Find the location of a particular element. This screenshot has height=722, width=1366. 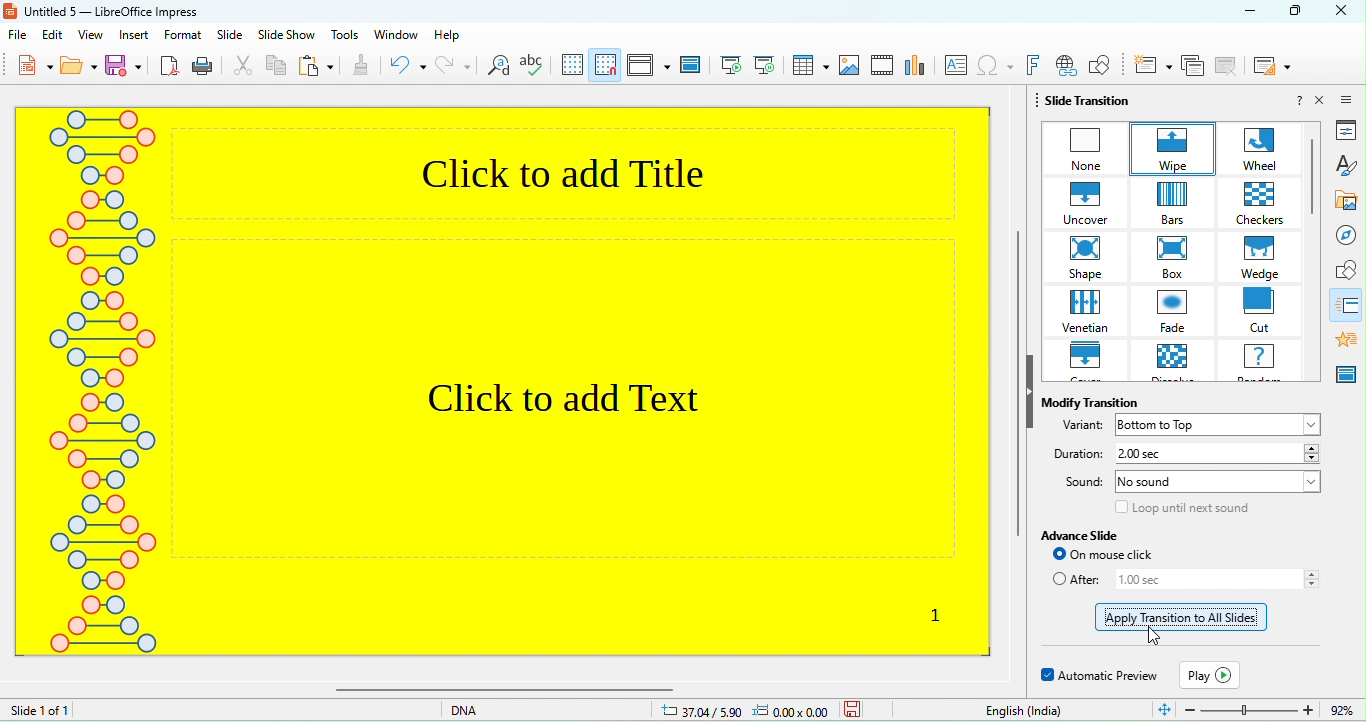

insert is located at coordinates (136, 36).